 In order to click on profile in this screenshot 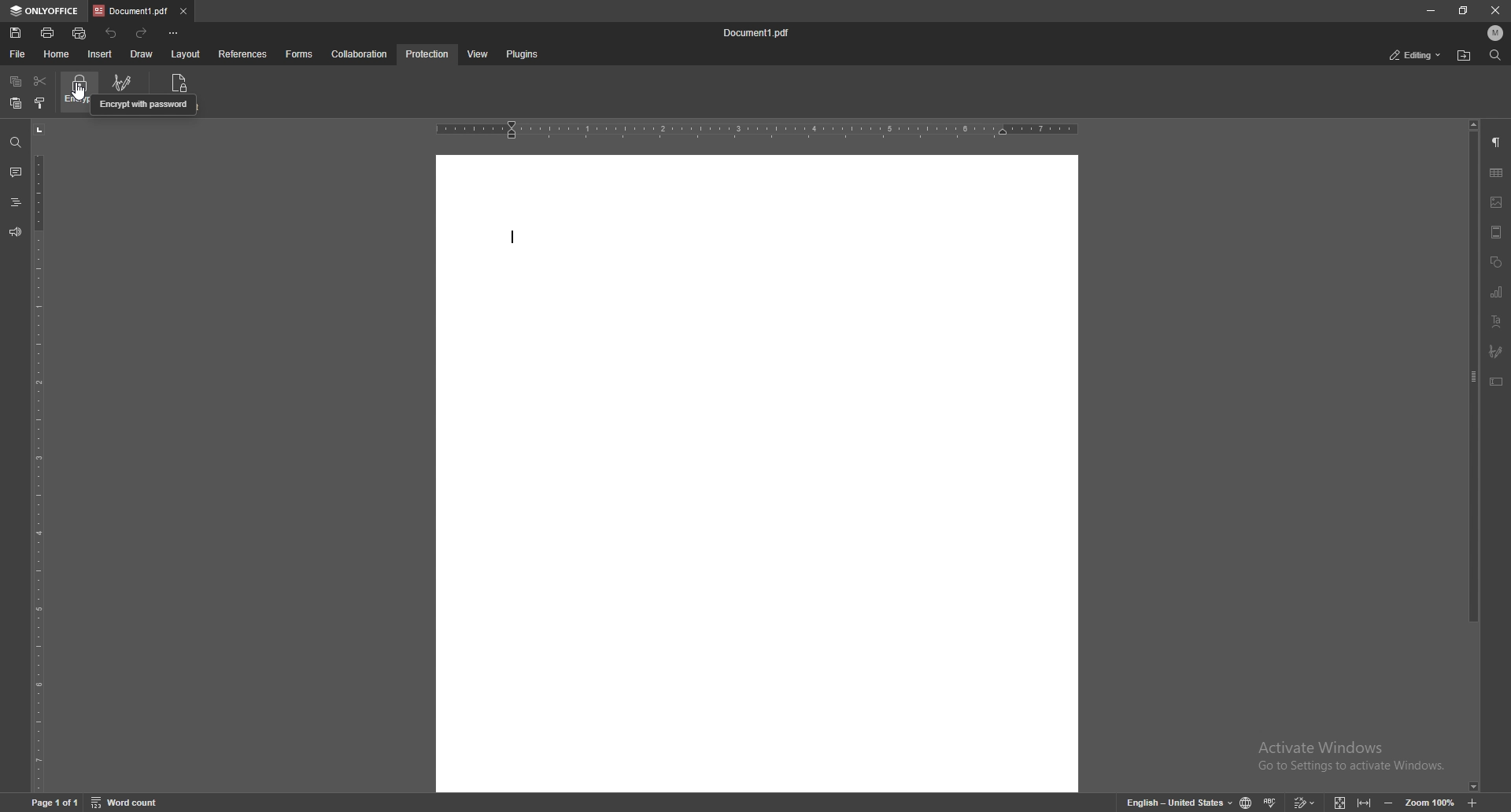, I will do `click(1493, 33)`.